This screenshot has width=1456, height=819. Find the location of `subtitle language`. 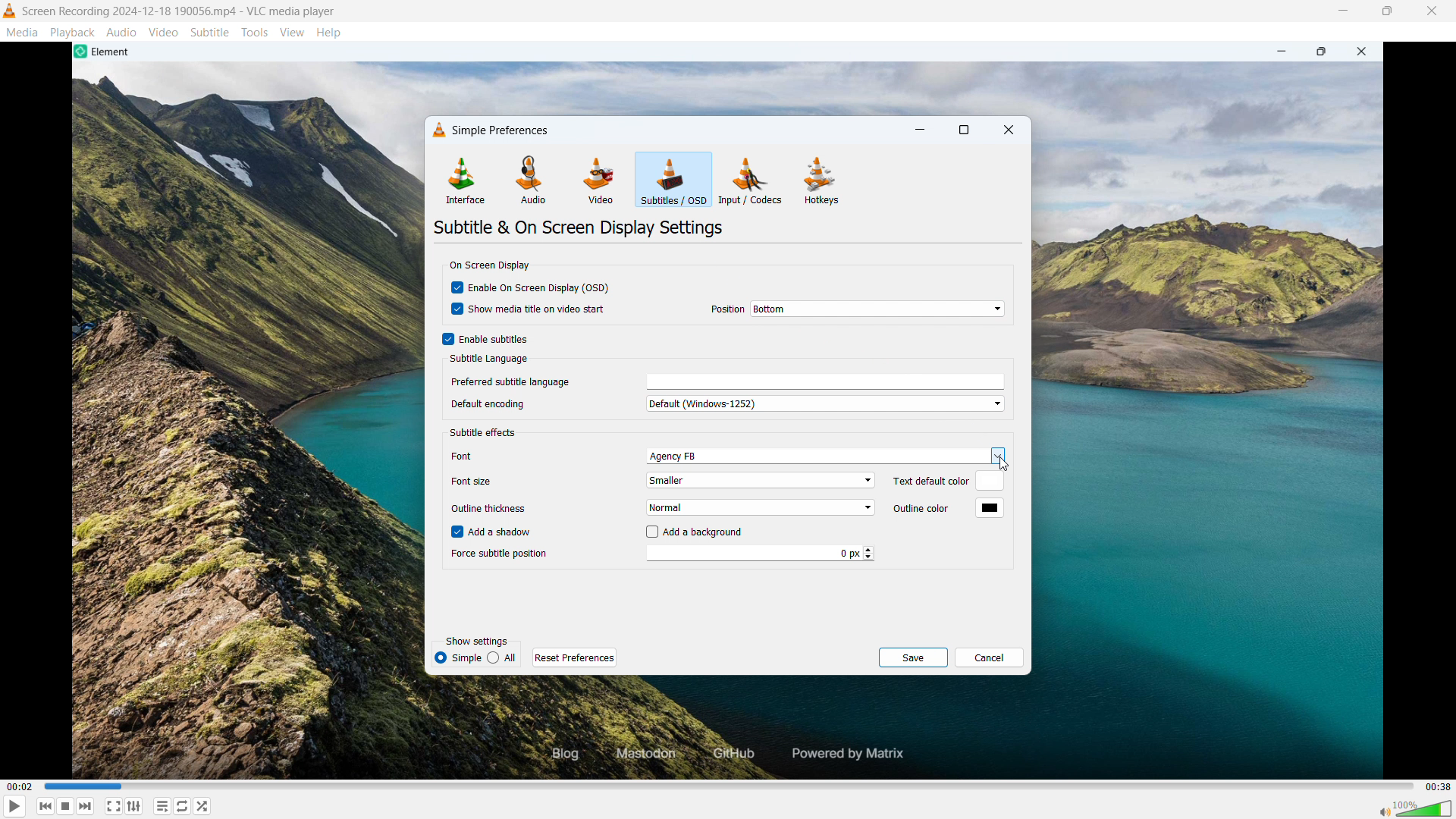

subtitle language is located at coordinates (489, 360).